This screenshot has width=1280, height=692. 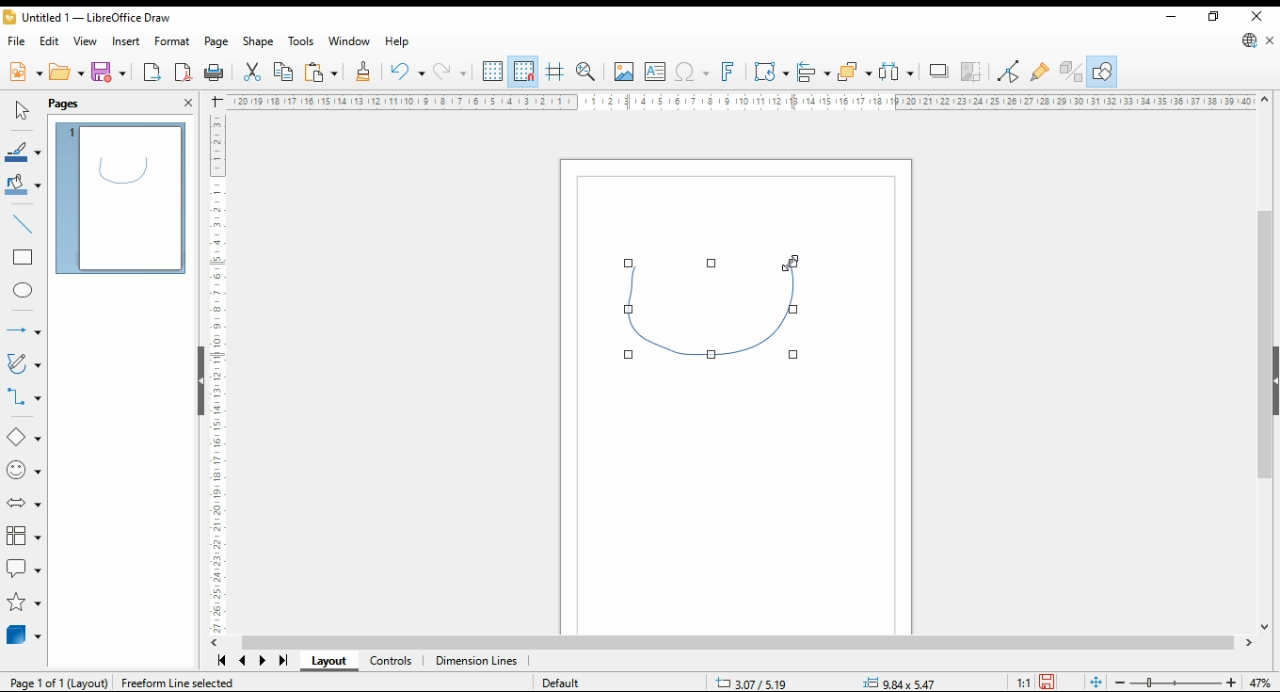 What do you see at coordinates (407, 72) in the screenshot?
I see `undo` at bounding box center [407, 72].